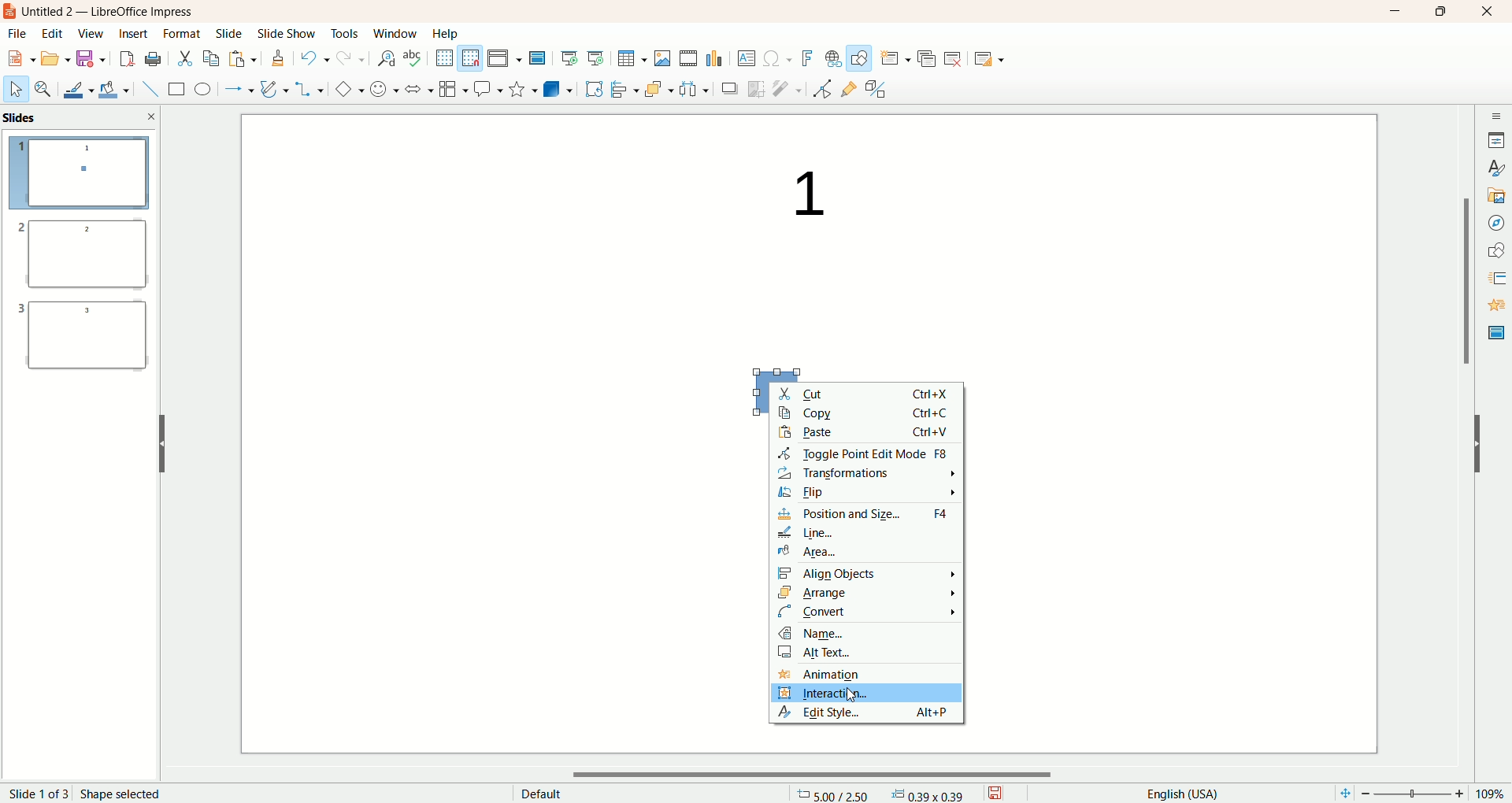 The height and width of the screenshot is (803, 1512). Describe the element at coordinates (757, 88) in the screenshot. I see `crop image` at that location.